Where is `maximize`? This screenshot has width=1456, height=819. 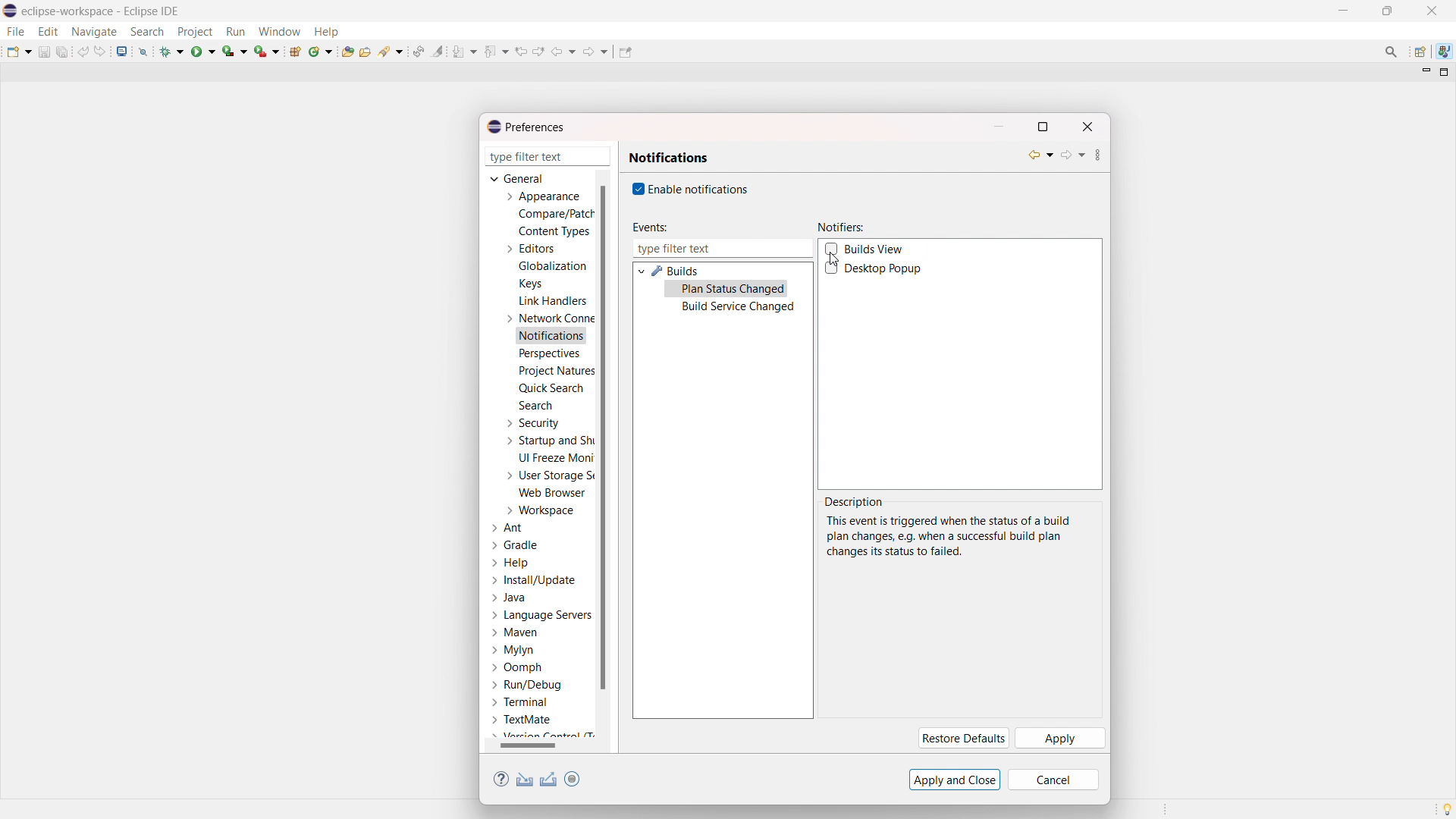 maximize is located at coordinates (1387, 11).